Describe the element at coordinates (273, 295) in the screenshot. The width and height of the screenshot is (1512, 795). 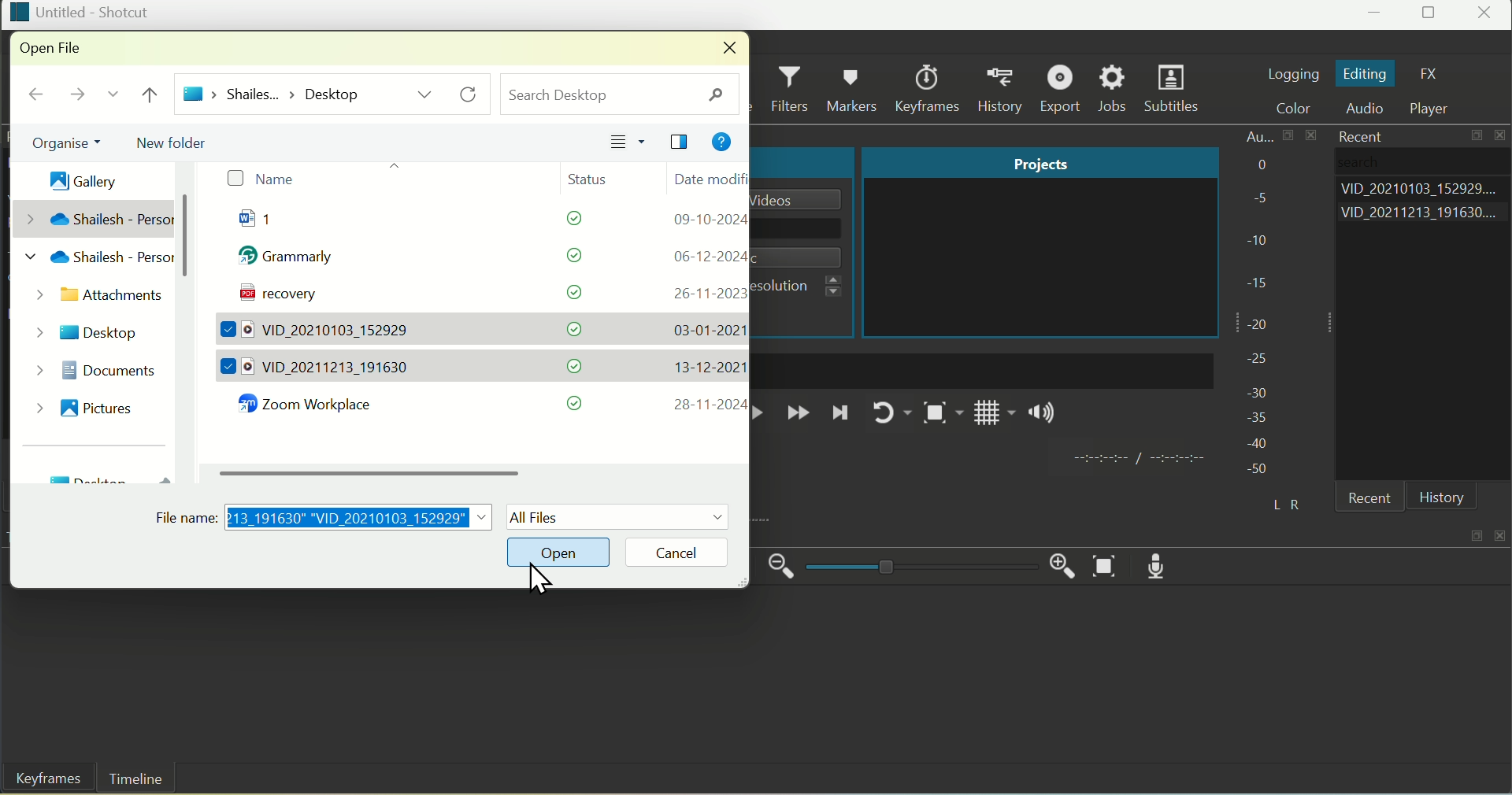
I see `recovery` at that location.